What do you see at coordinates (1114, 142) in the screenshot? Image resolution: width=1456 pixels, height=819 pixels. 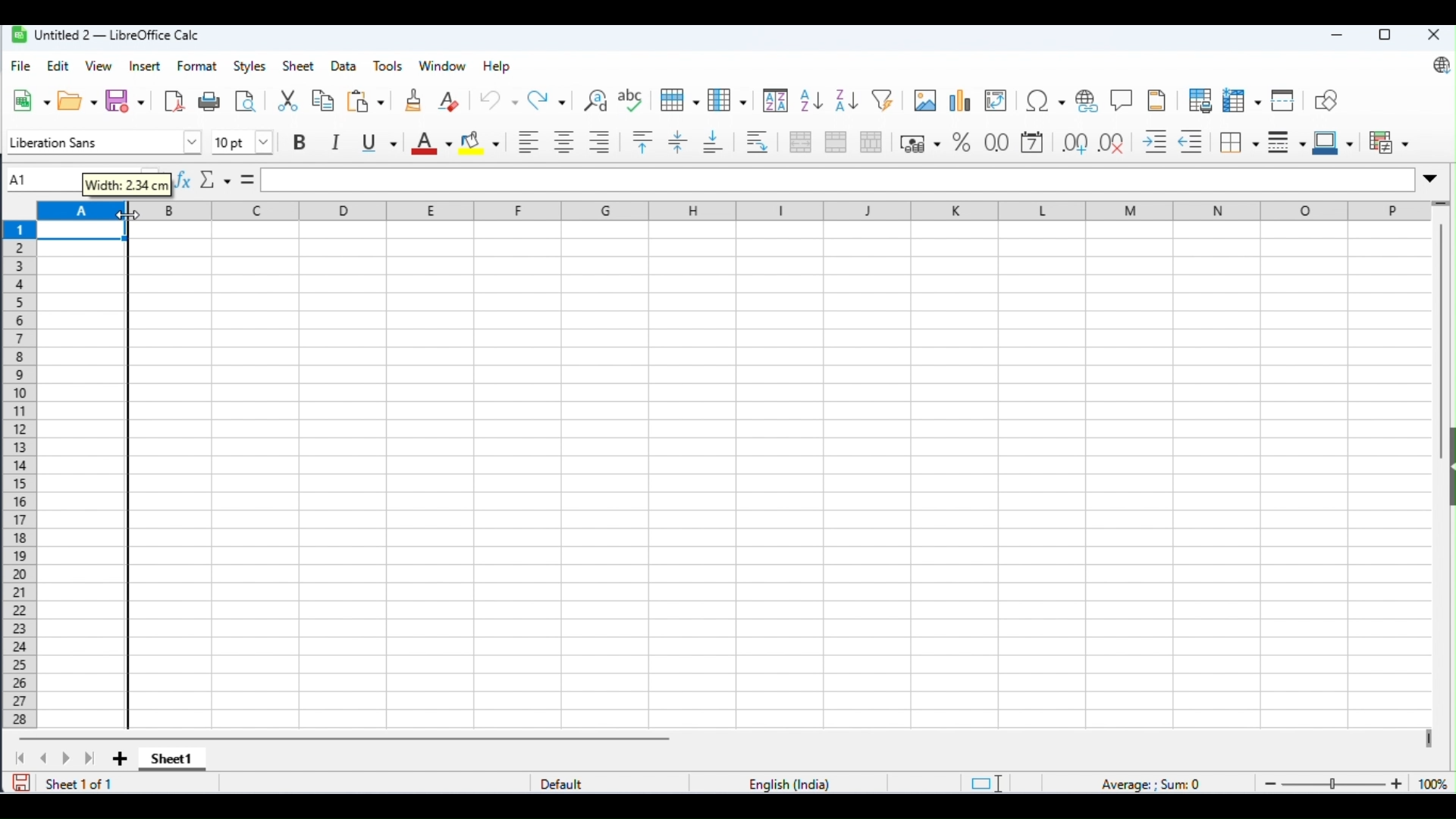 I see `remove decimal place` at bounding box center [1114, 142].